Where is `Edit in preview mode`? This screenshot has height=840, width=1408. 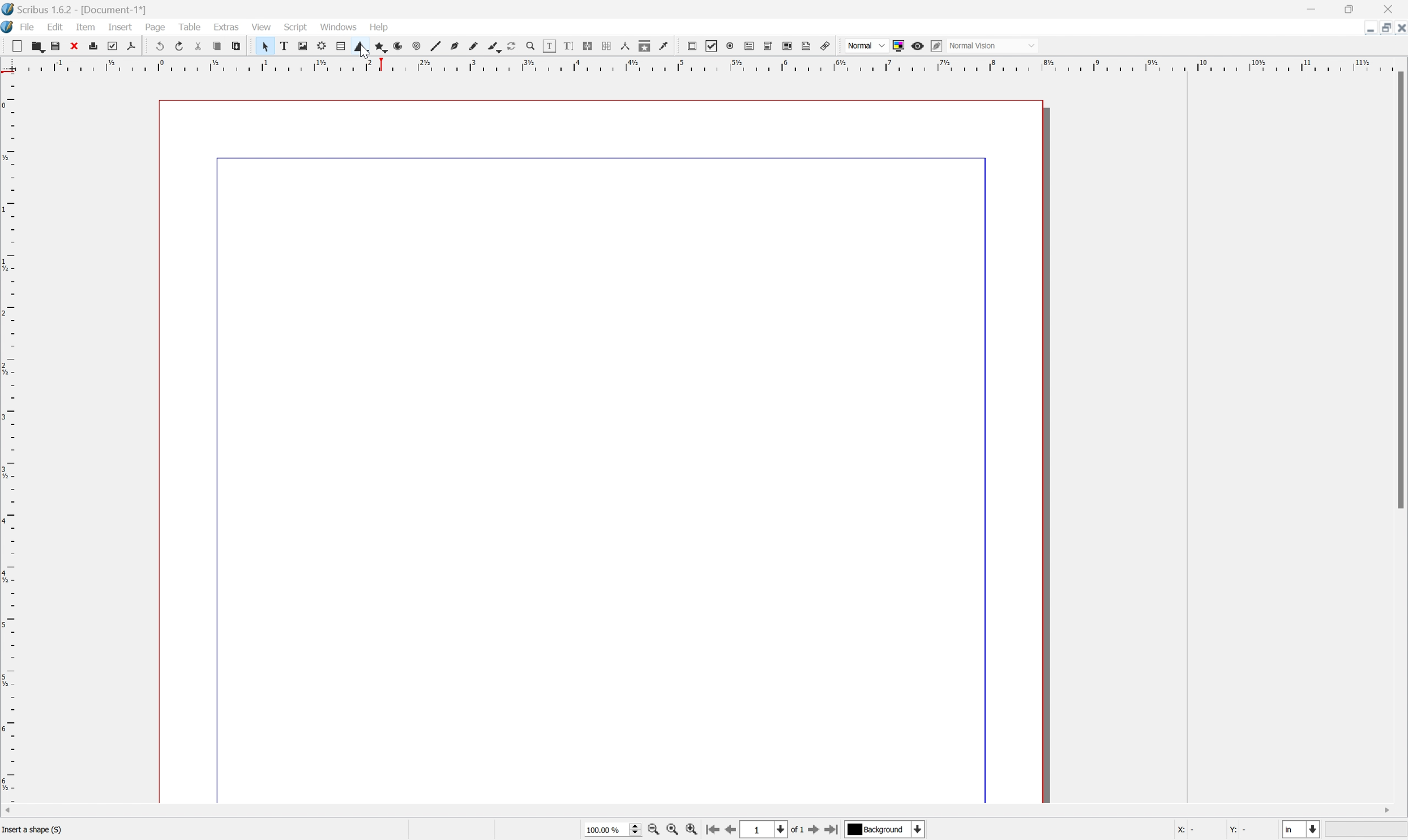 Edit in preview mode is located at coordinates (936, 46).